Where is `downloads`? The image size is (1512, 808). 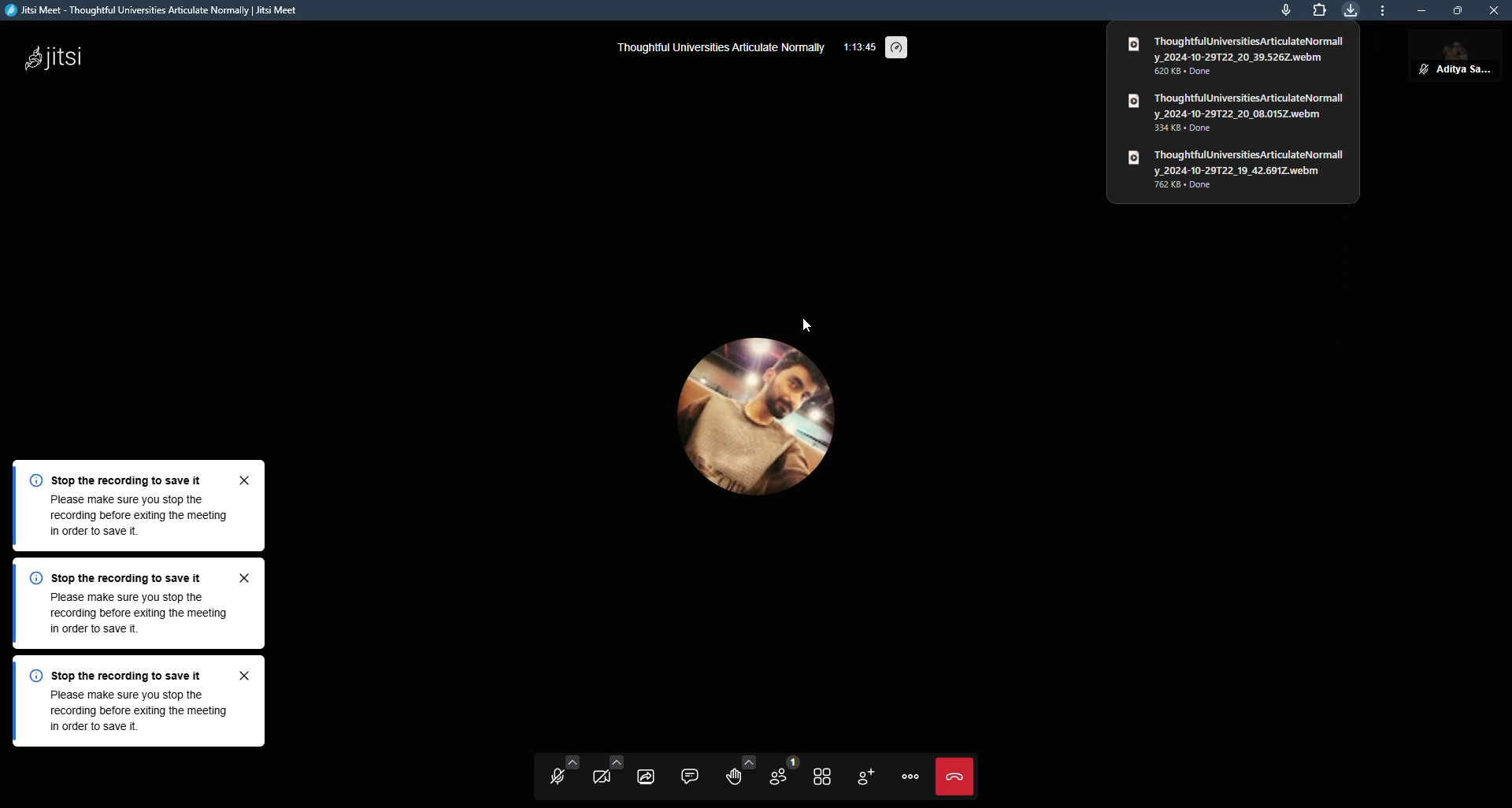 downloads is located at coordinates (1352, 9).